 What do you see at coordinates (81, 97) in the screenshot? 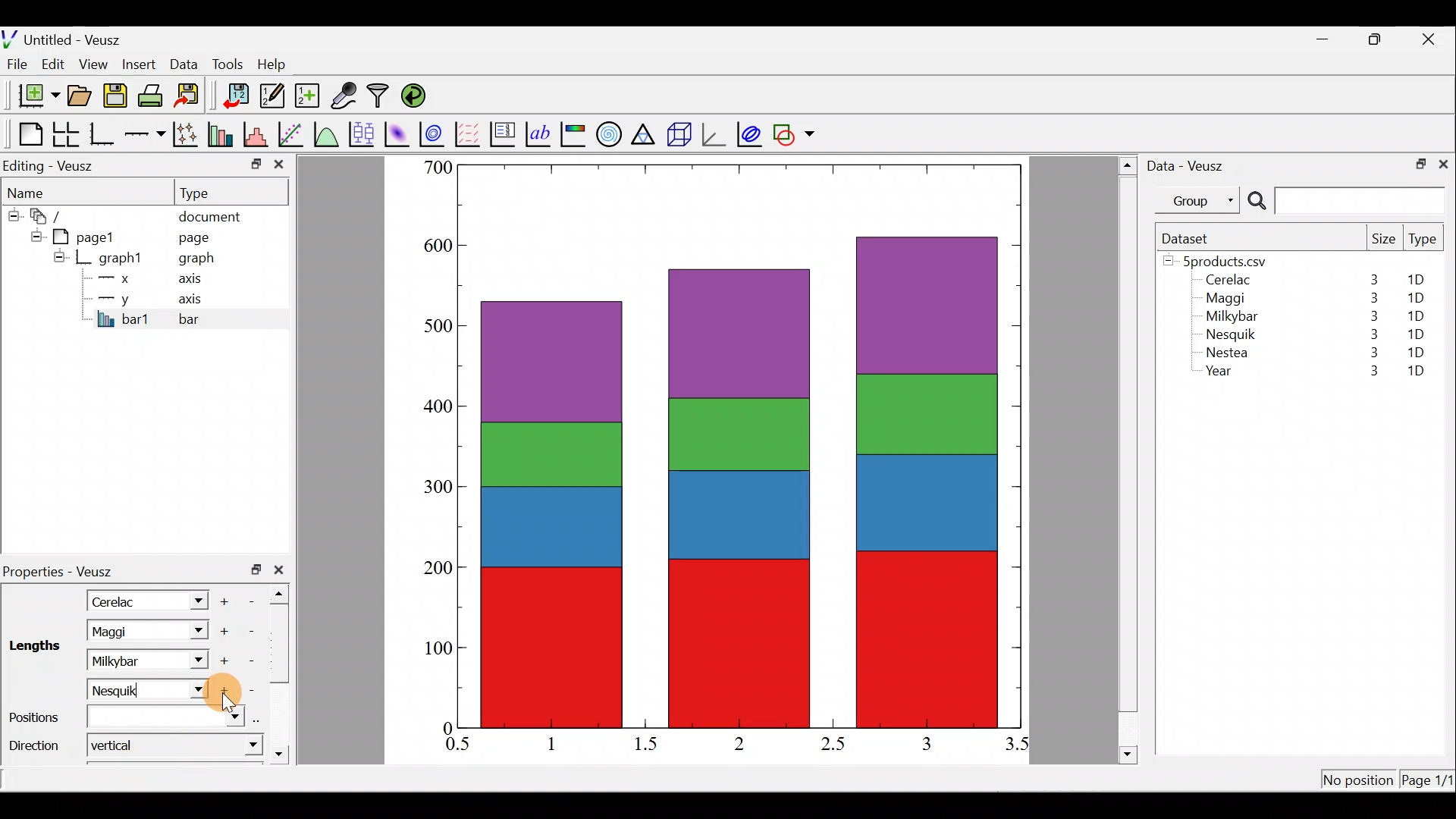
I see `Open a document` at bounding box center [81, 97].